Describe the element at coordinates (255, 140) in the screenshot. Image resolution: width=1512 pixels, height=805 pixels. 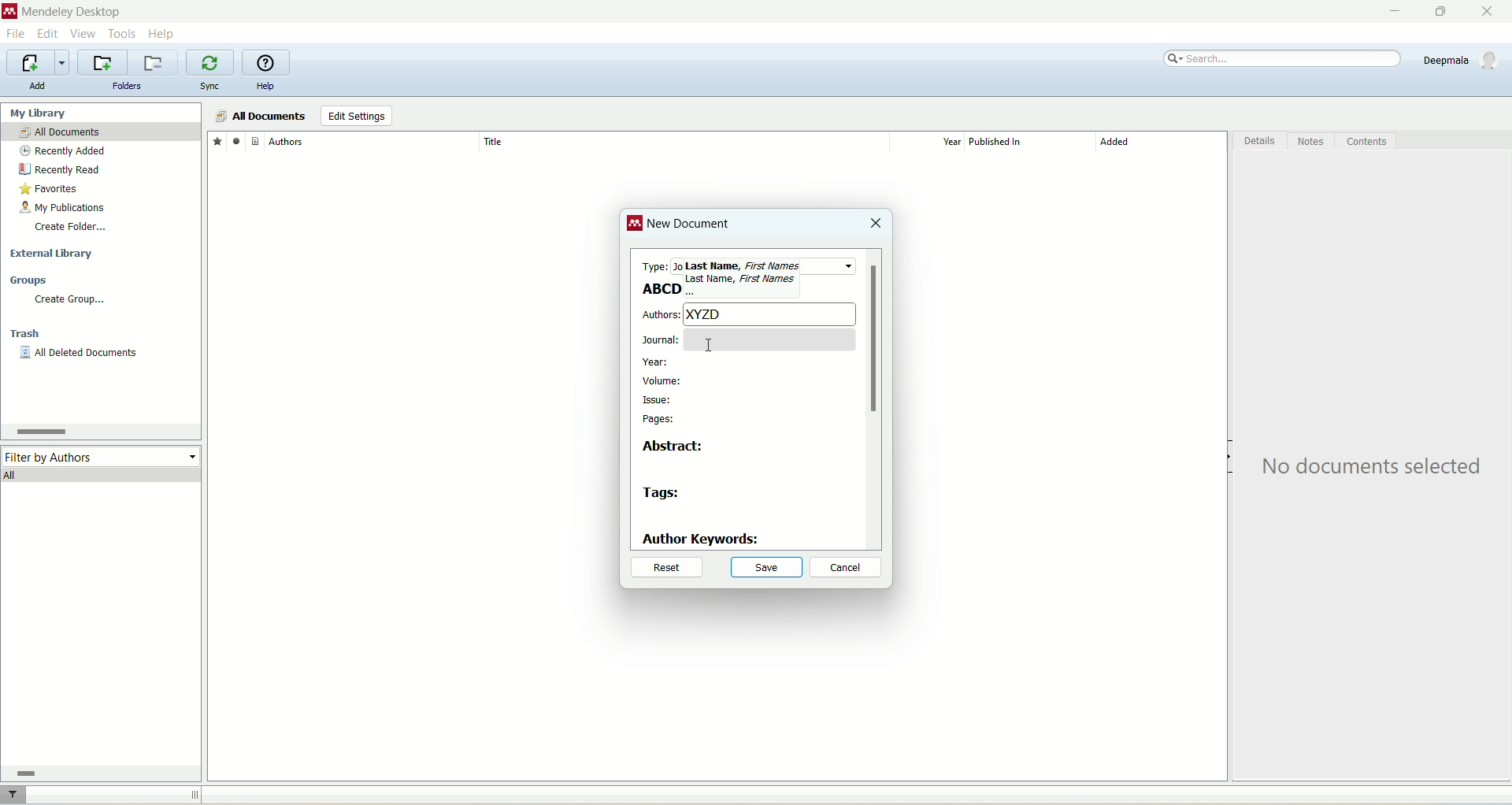
I see `document` at that location.